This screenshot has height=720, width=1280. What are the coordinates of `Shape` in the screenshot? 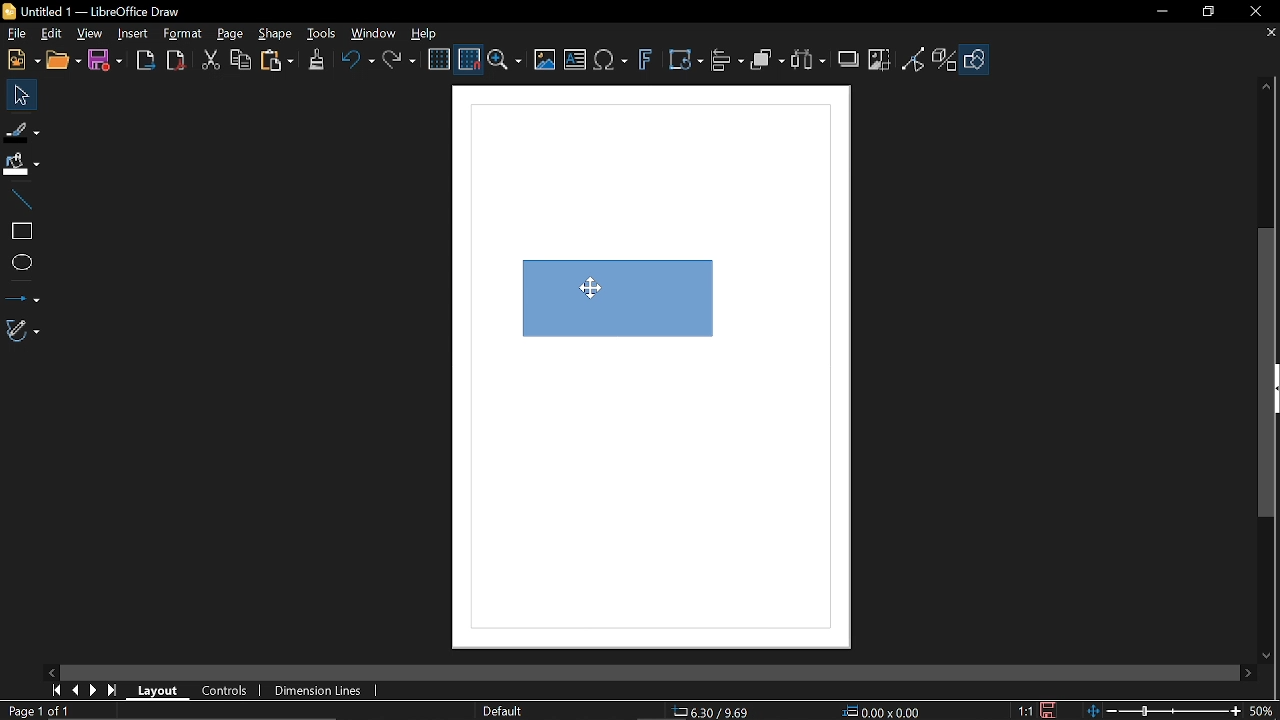 It's located at (278, 35).